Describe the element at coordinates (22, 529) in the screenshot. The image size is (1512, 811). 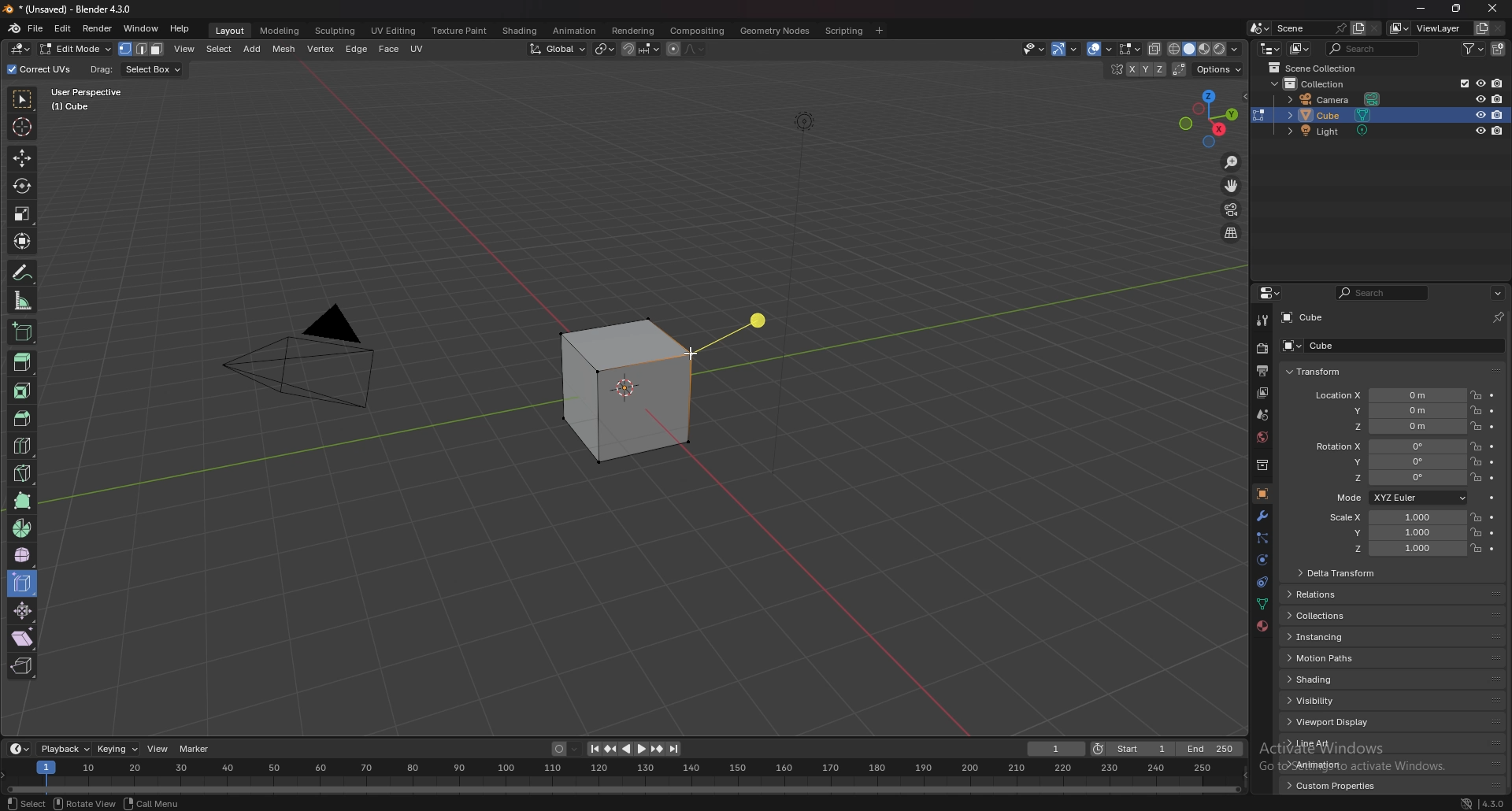
I see `spin` at that location.